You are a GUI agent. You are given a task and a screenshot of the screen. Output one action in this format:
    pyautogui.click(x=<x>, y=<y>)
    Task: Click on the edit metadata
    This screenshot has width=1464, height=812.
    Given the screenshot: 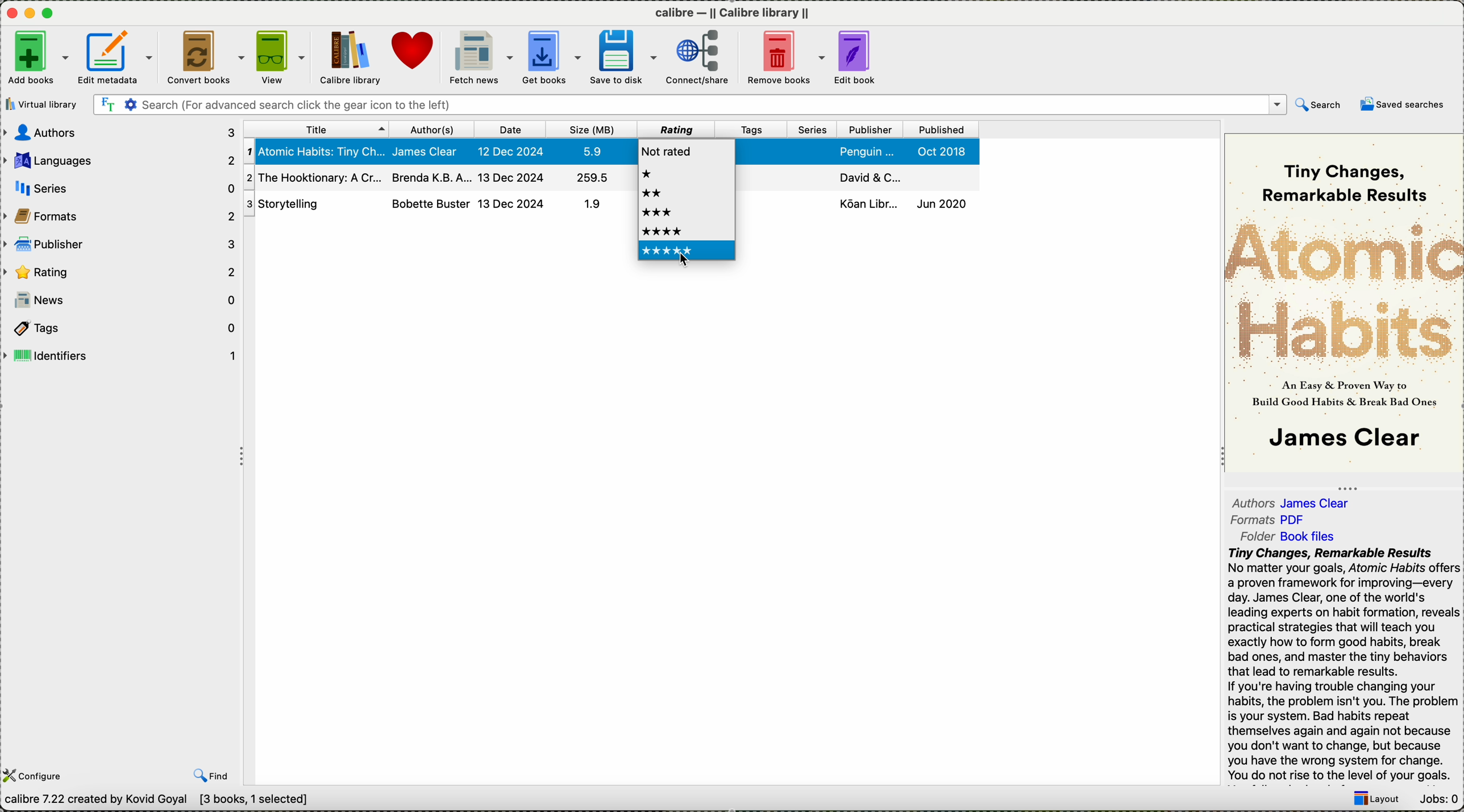 What is the action you would take?
    pyautogui.click(x=117, y=58)
    